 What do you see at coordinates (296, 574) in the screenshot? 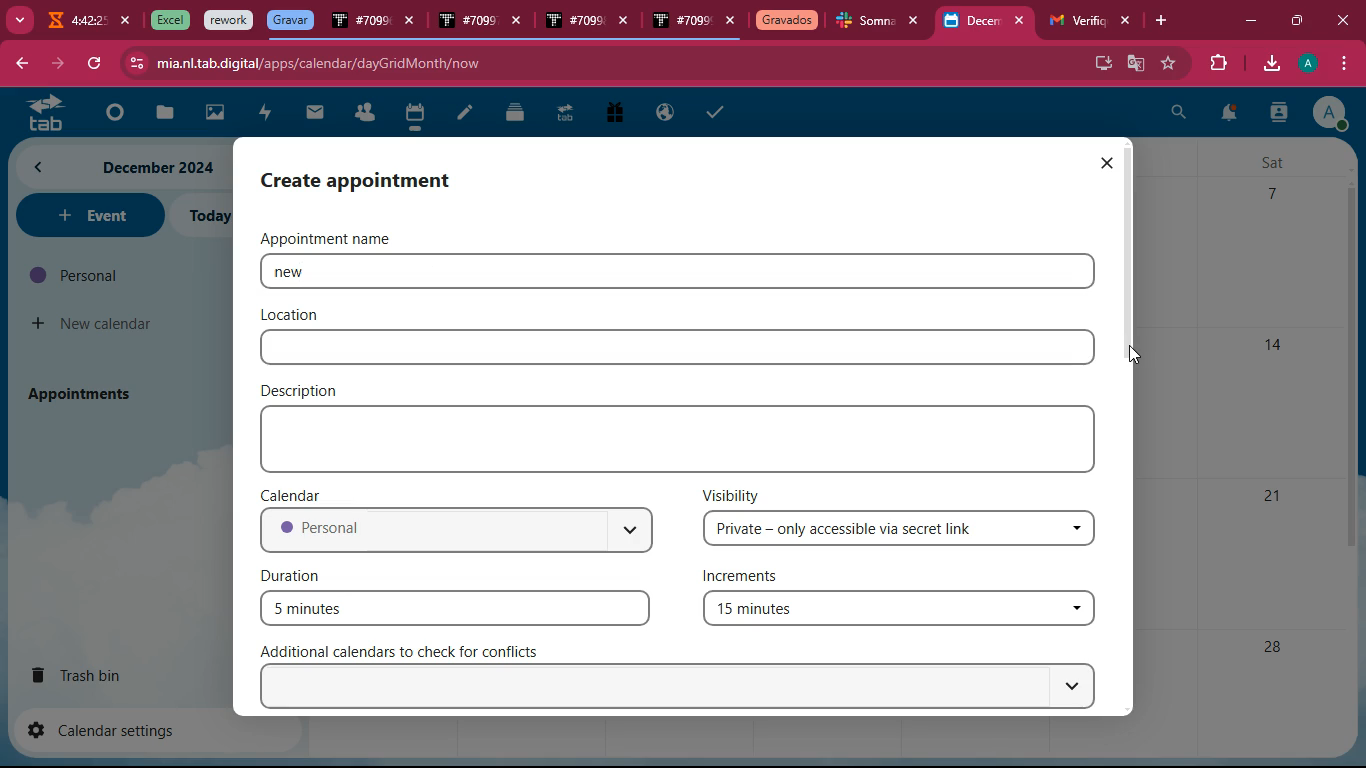
I see `duration` at bounding box center [296, 574].